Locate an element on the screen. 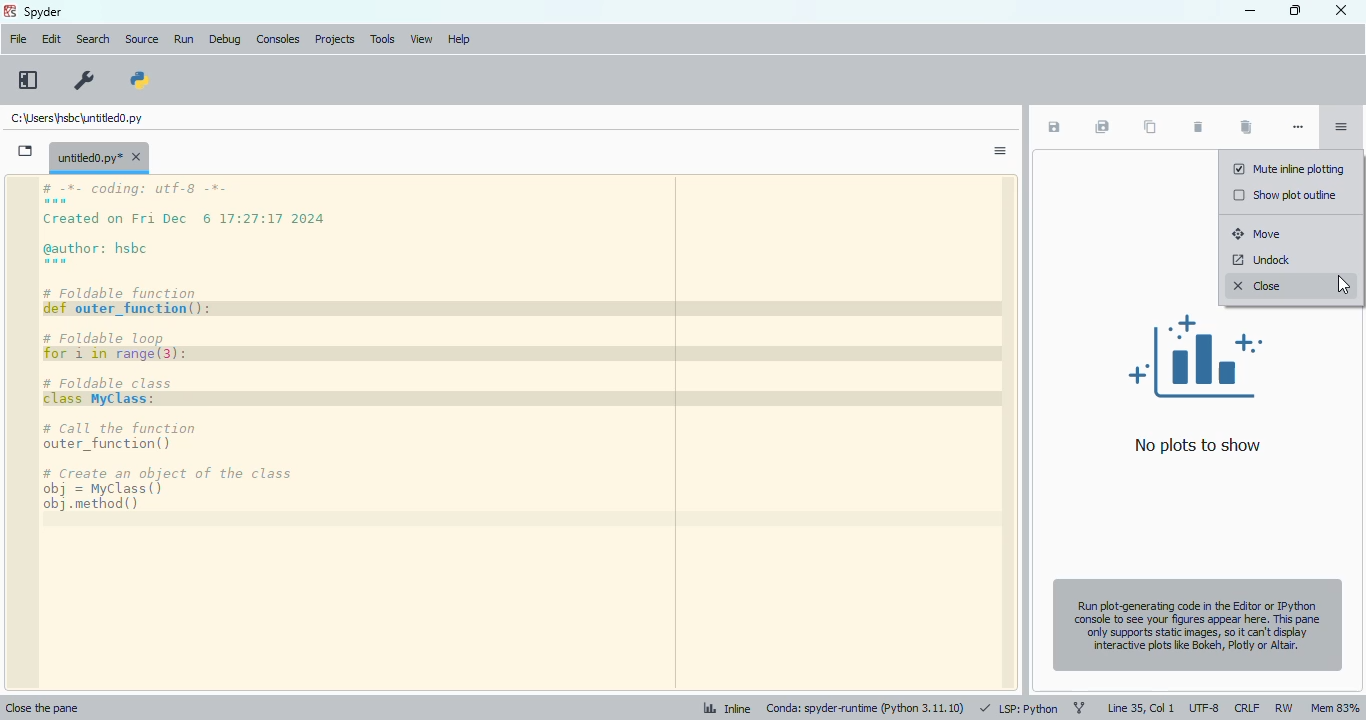 The width and height of the screenshot is (1366, 720). copy plot to clipboard as image is located at coordinates (1148, 127).